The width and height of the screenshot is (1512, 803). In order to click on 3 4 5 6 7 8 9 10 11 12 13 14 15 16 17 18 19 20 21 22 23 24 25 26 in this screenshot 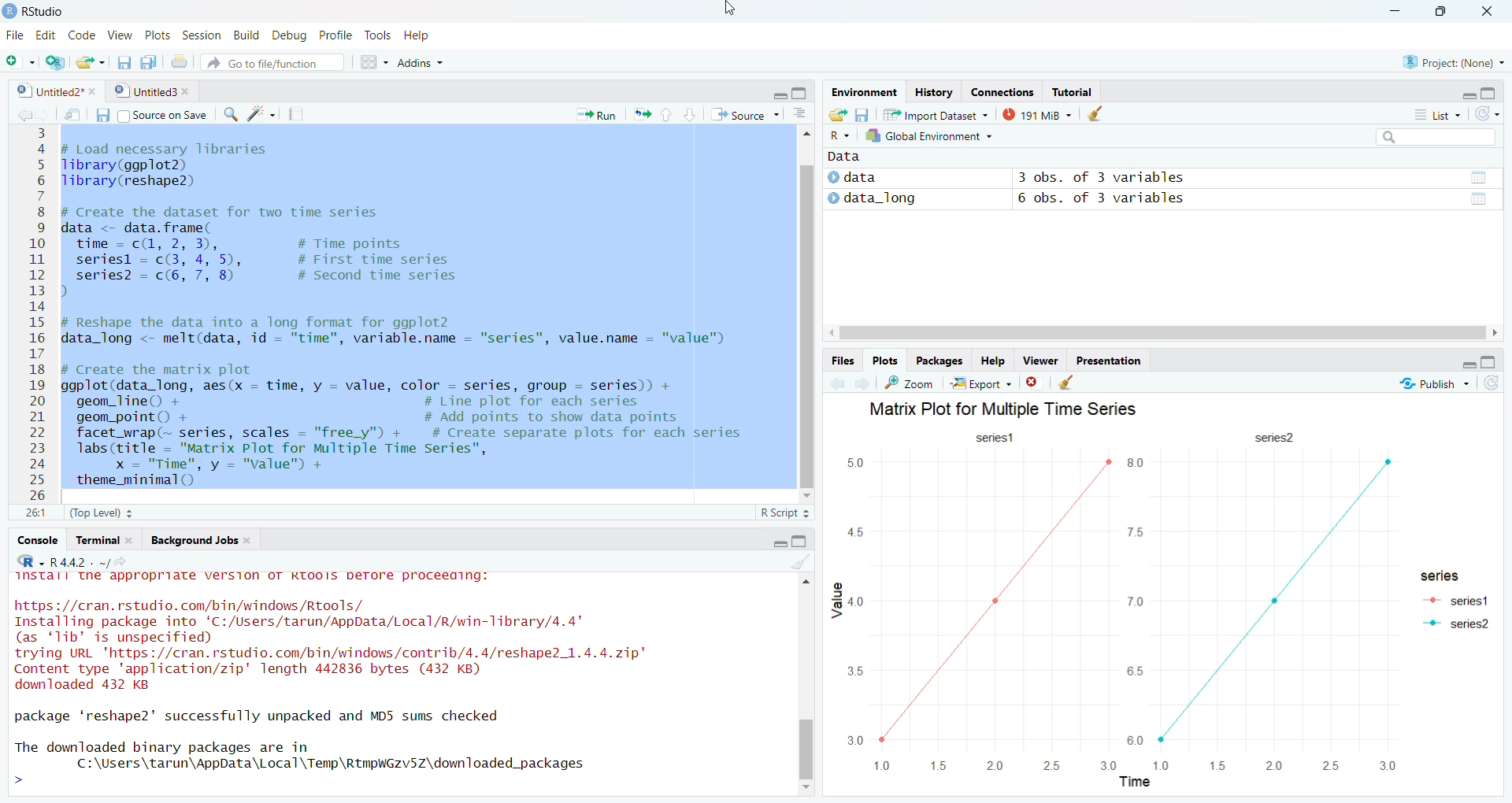, I will do `click(38, 313)`.